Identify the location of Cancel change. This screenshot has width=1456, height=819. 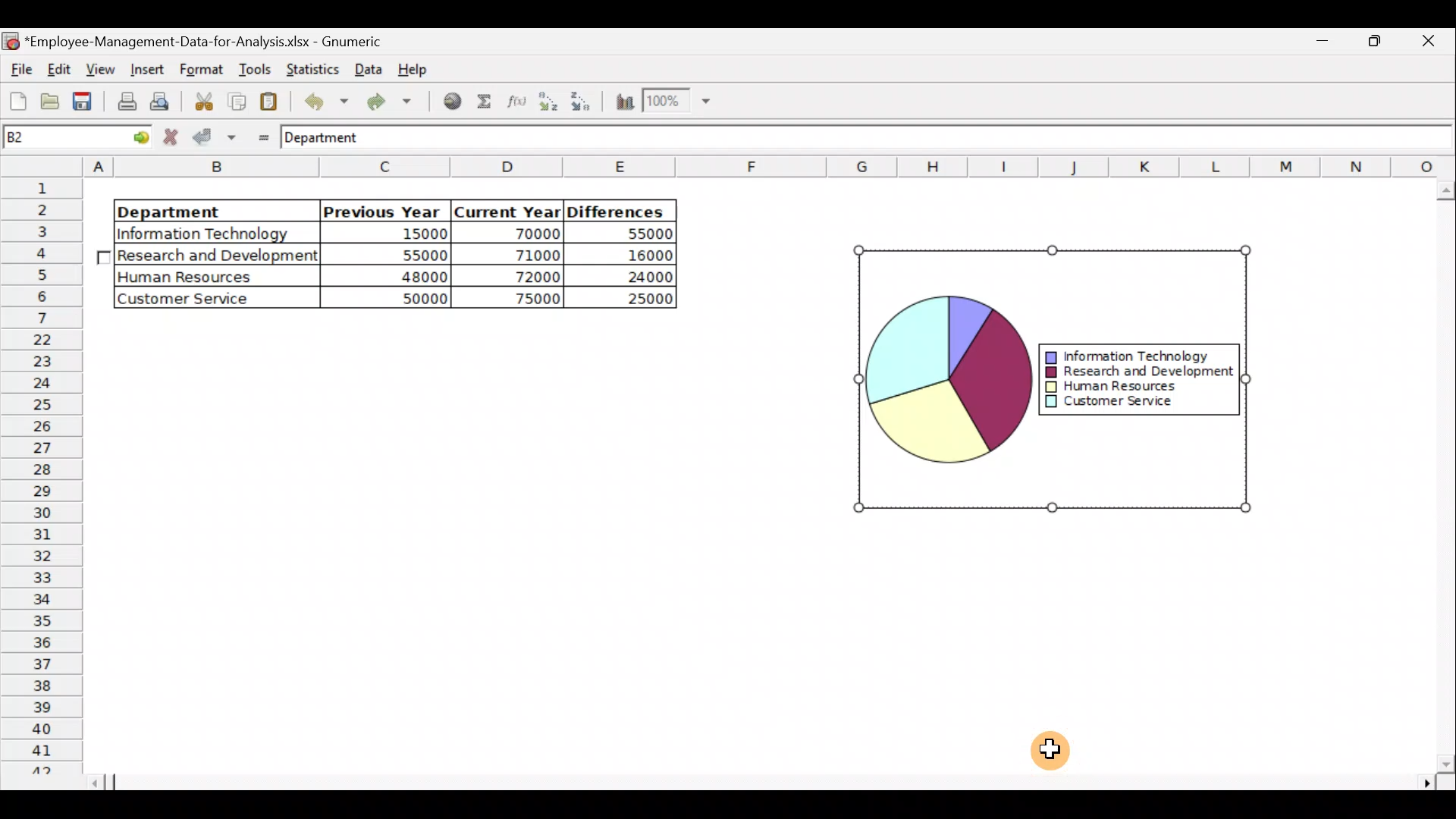
(172, 138).